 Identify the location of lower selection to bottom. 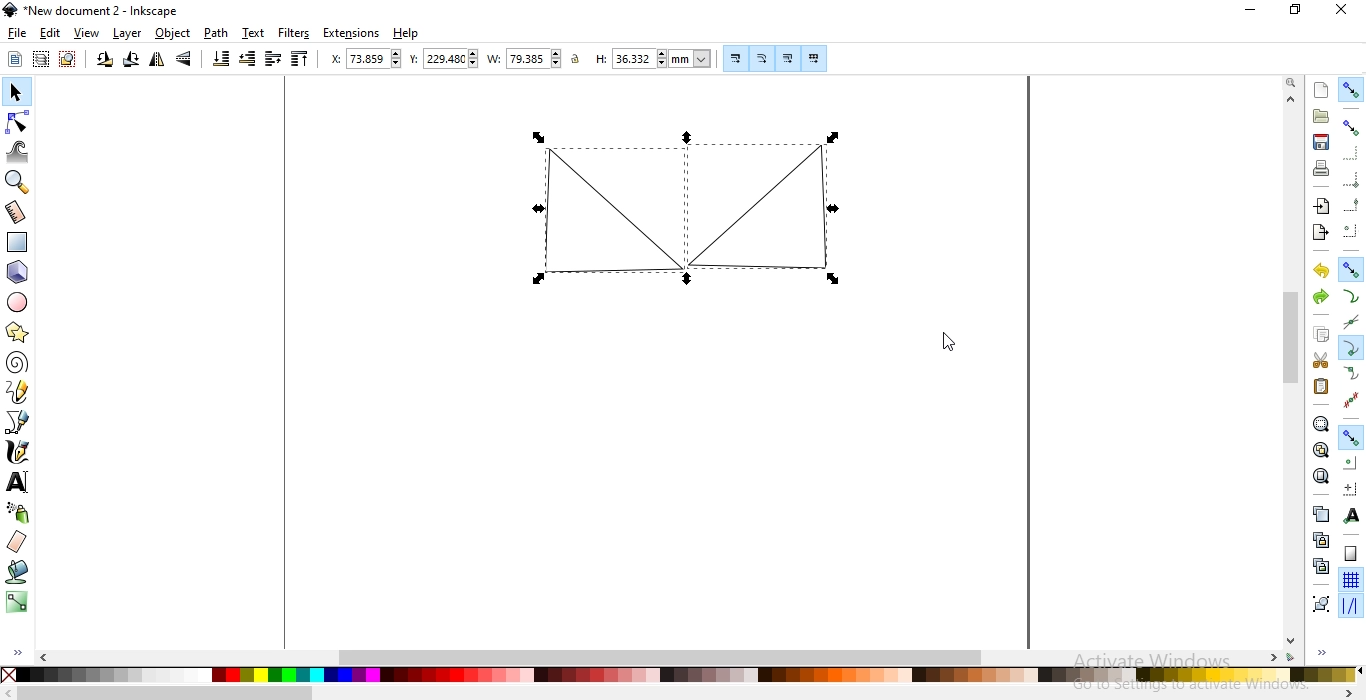
(222, 59).